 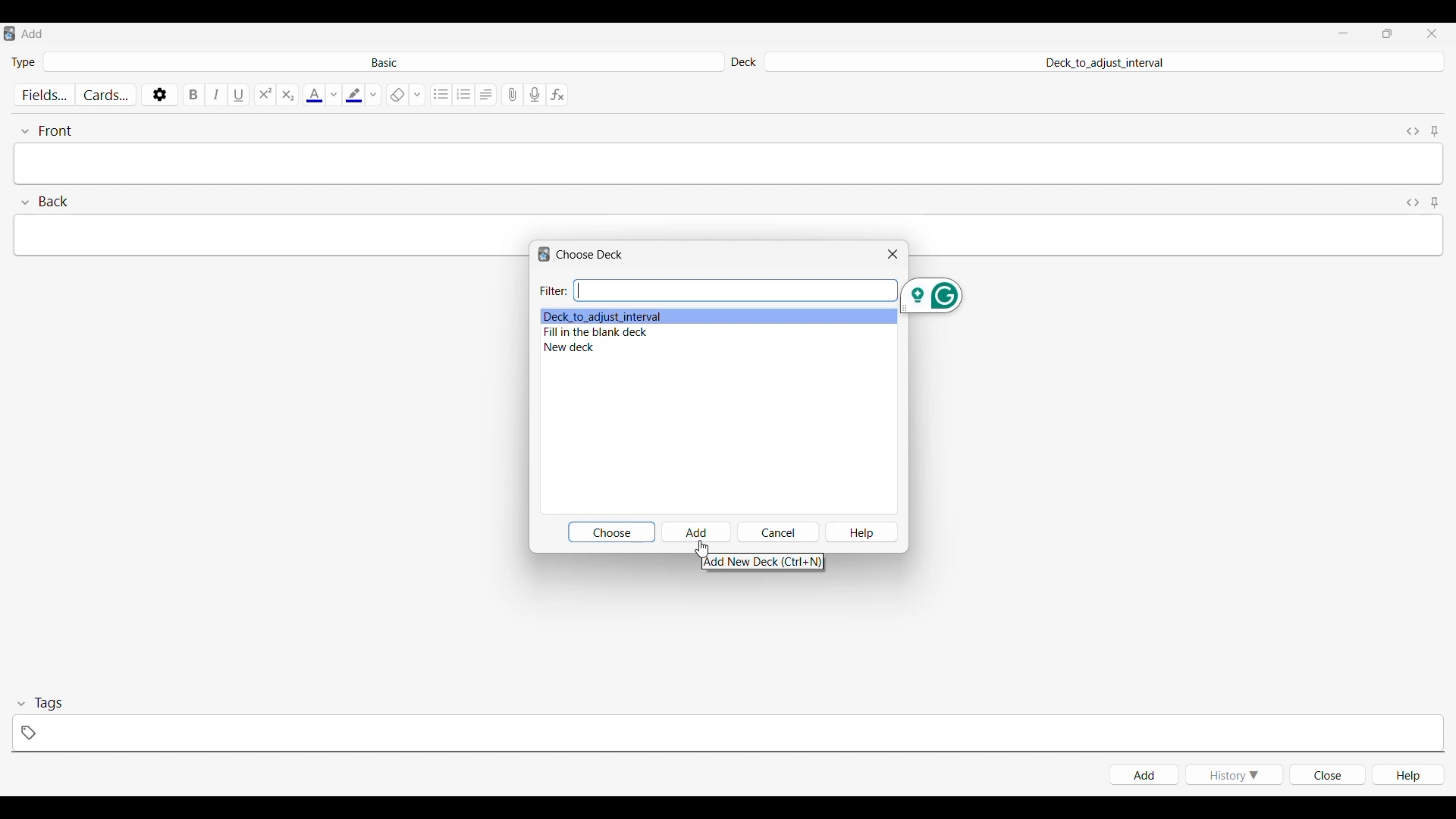 I want to click on Type in text, so click(x=726, y=226).